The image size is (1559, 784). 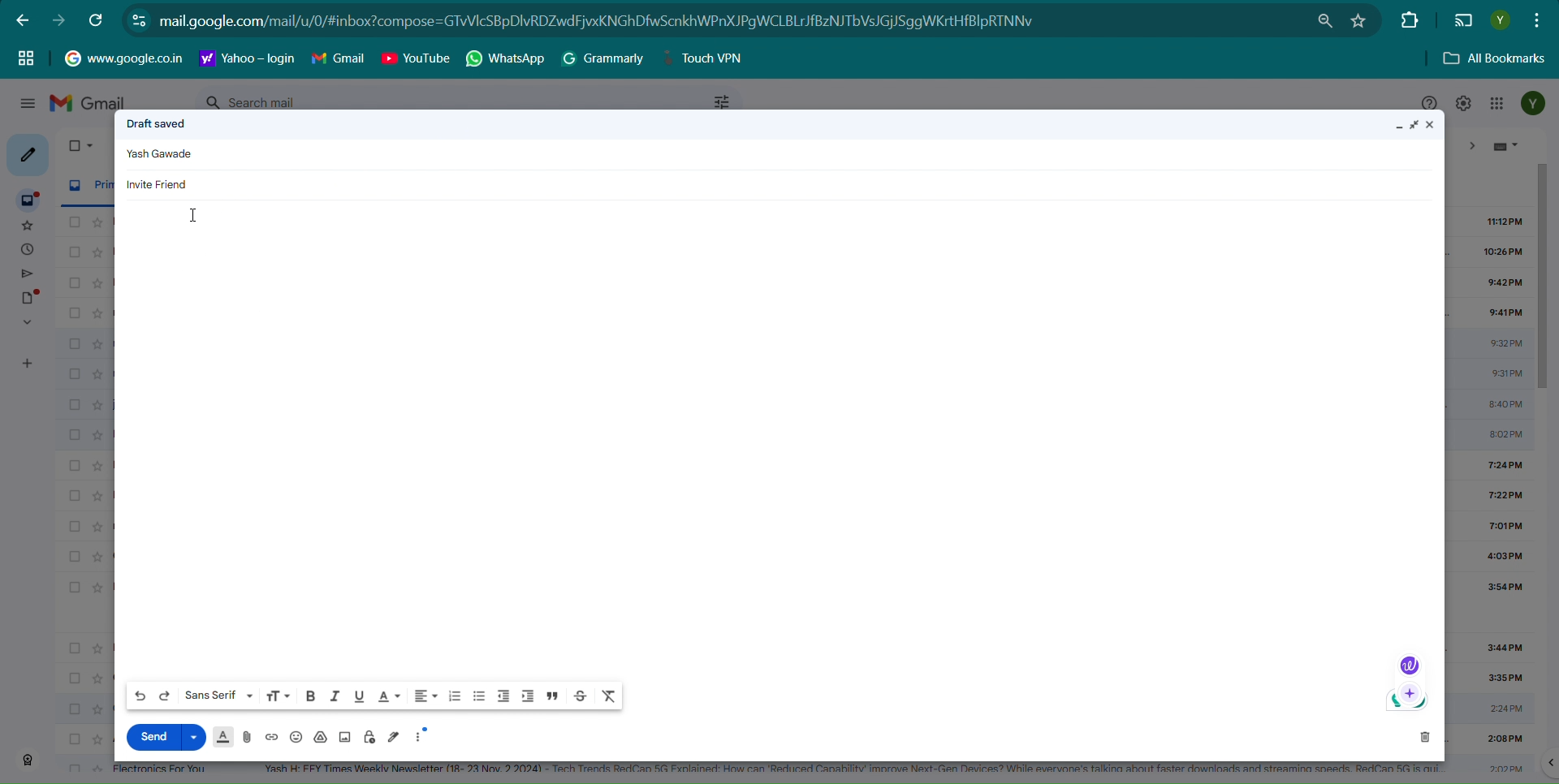 I want to click on More send option, so click(x=195, y=736).